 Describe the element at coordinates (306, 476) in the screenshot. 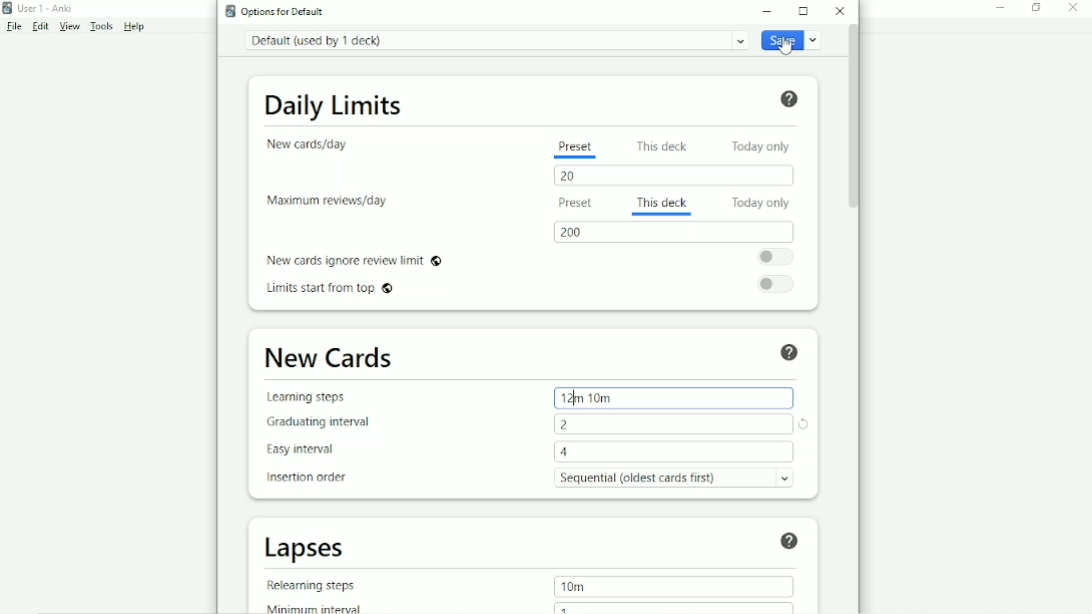

I see `Insertion order` at that location.